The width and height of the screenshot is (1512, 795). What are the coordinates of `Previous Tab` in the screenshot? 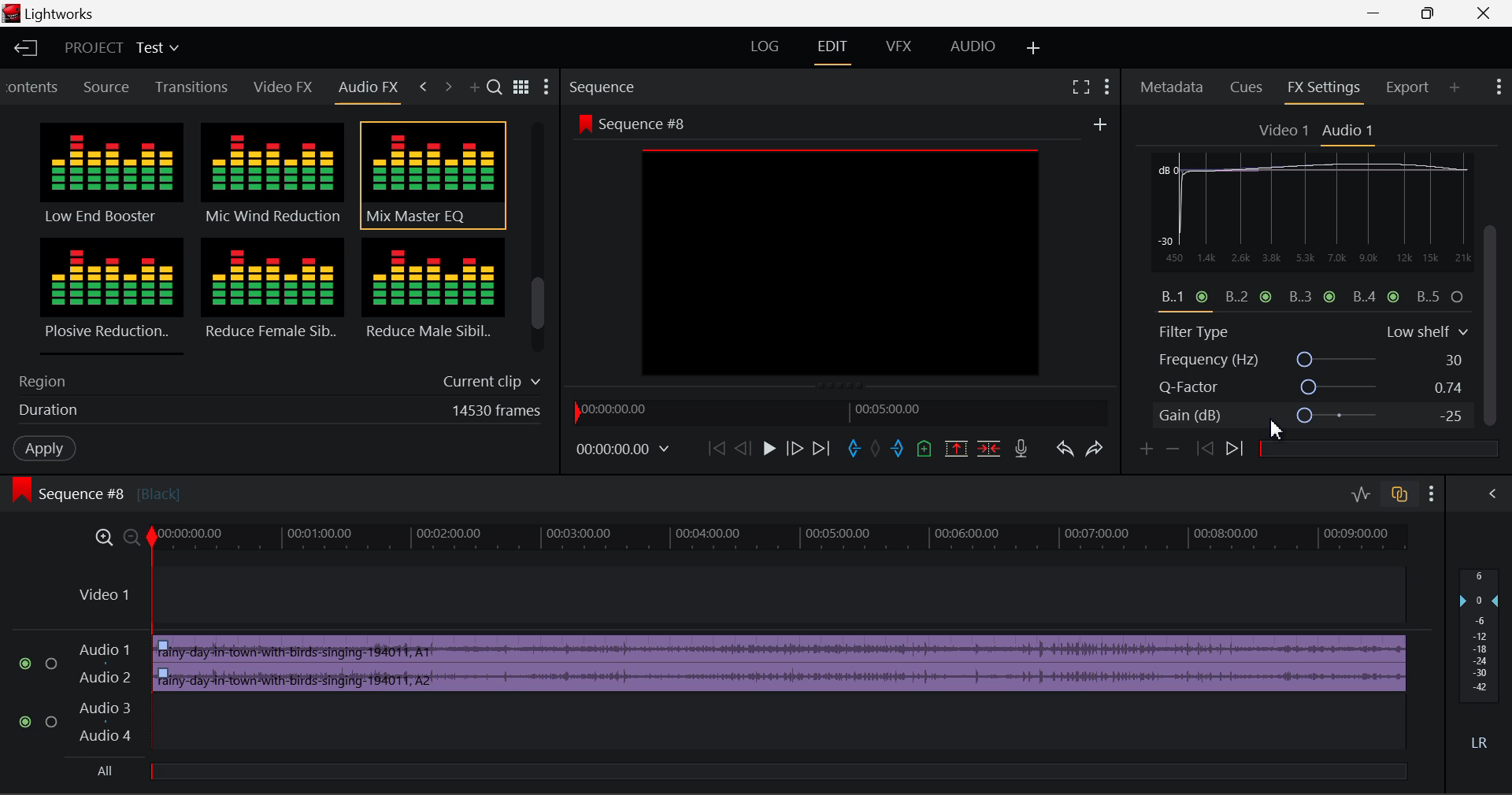 It's located at (424, 84).